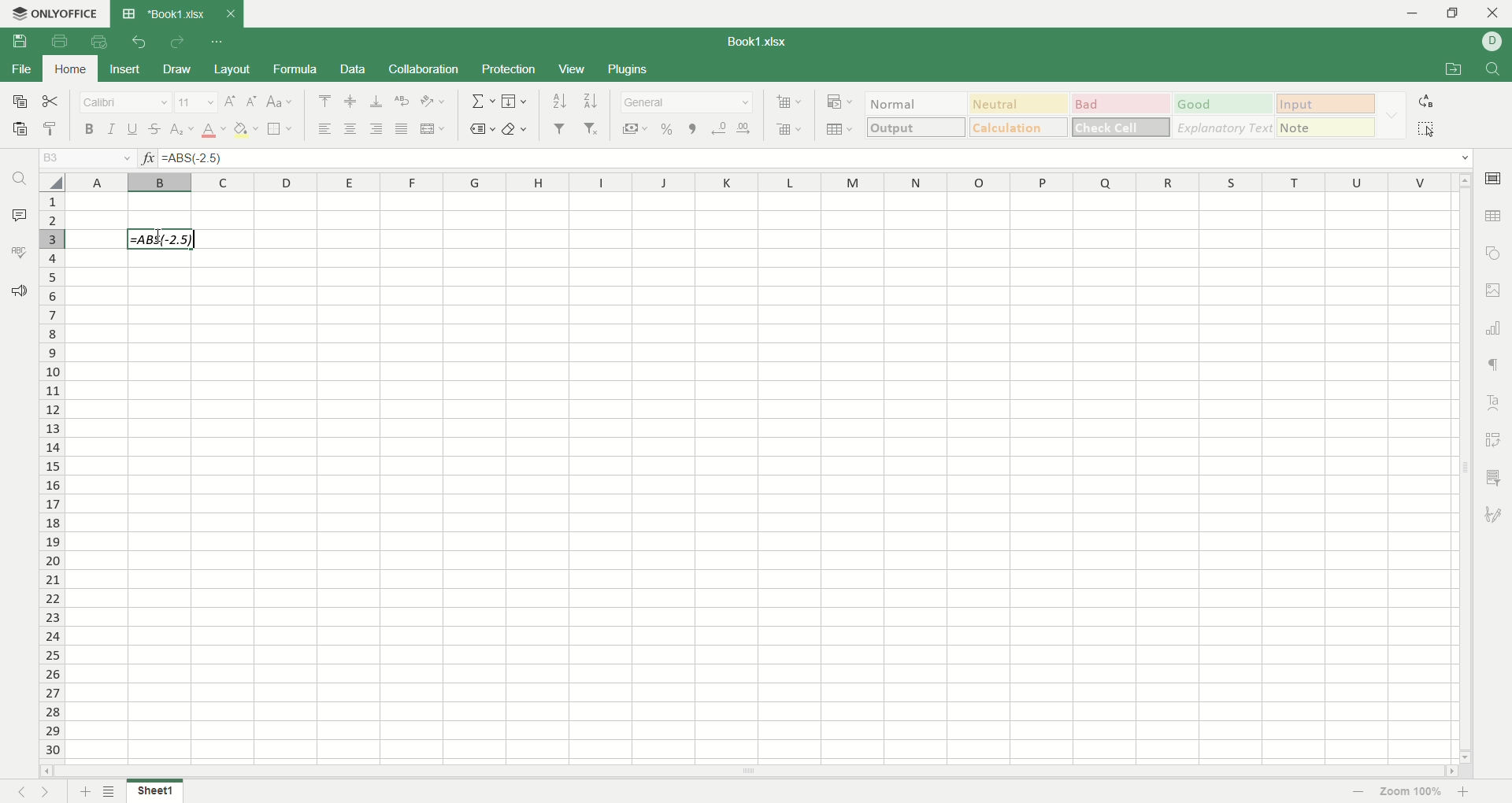  I want to click on signature, so click(1496, 512).